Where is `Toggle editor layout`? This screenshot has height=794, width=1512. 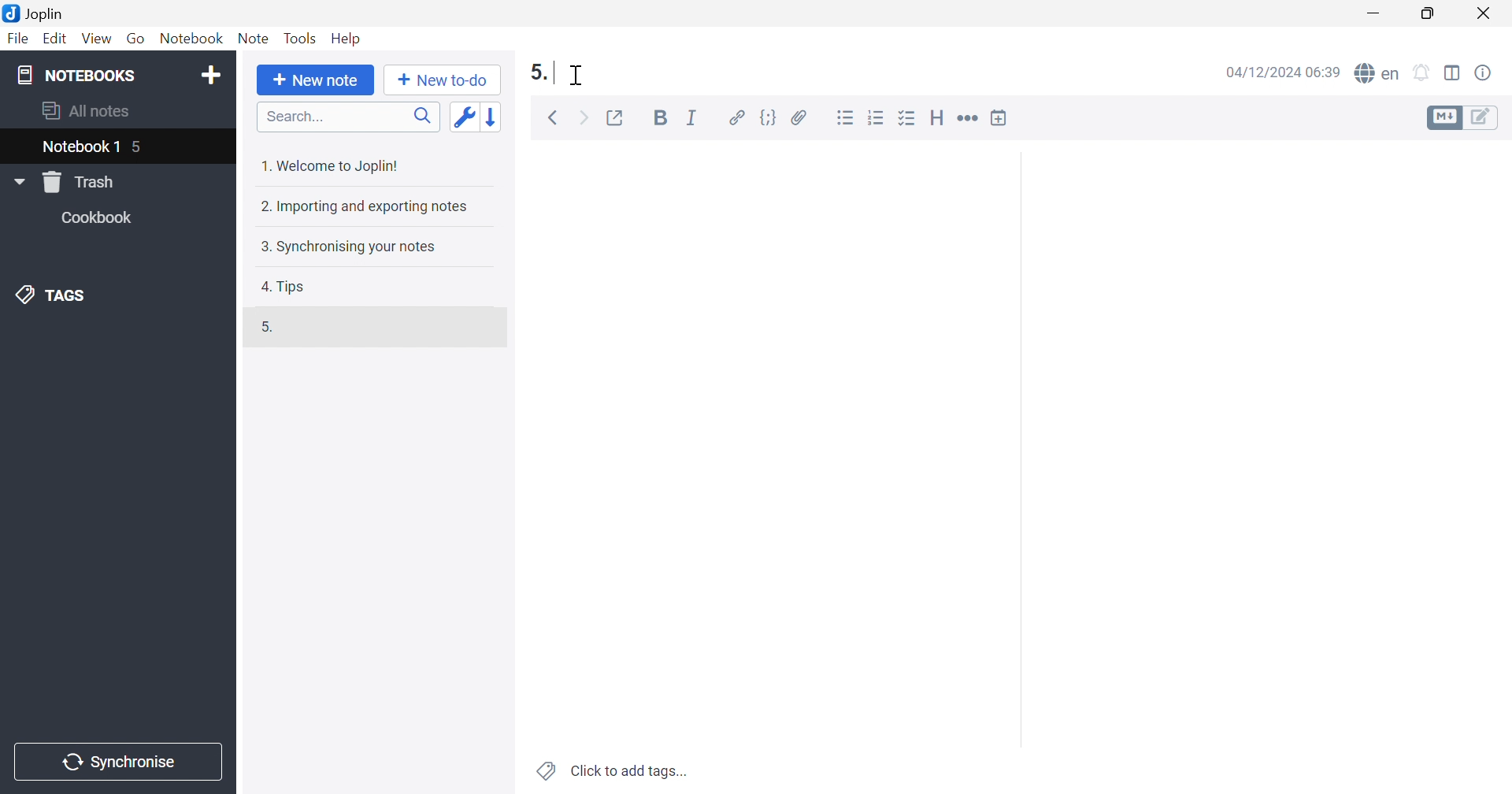 Toggle editor layout is located at coordinates (1453, 73).